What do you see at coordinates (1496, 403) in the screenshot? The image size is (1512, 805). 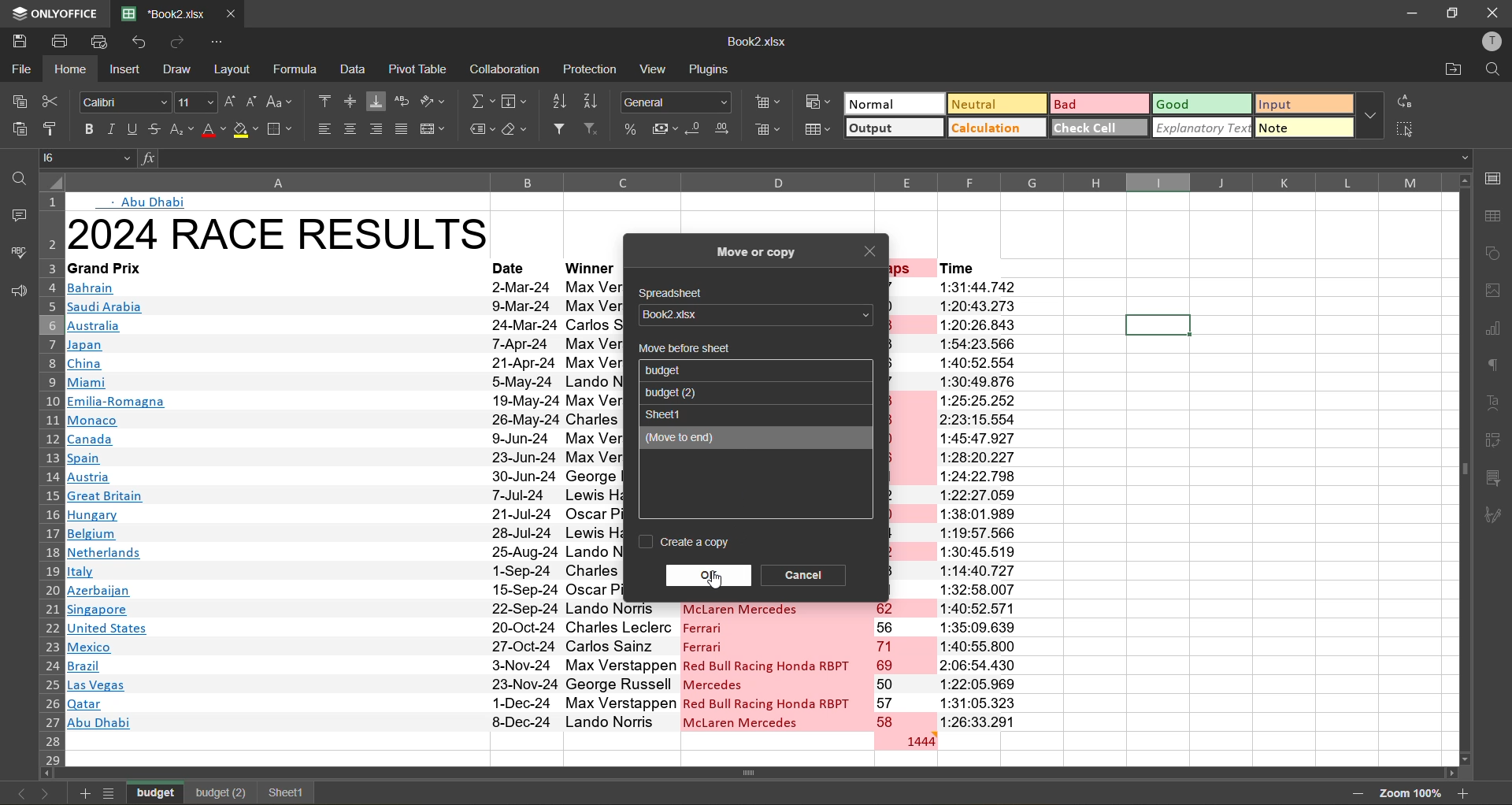 I see `text` at bounding box center [1496, 403].